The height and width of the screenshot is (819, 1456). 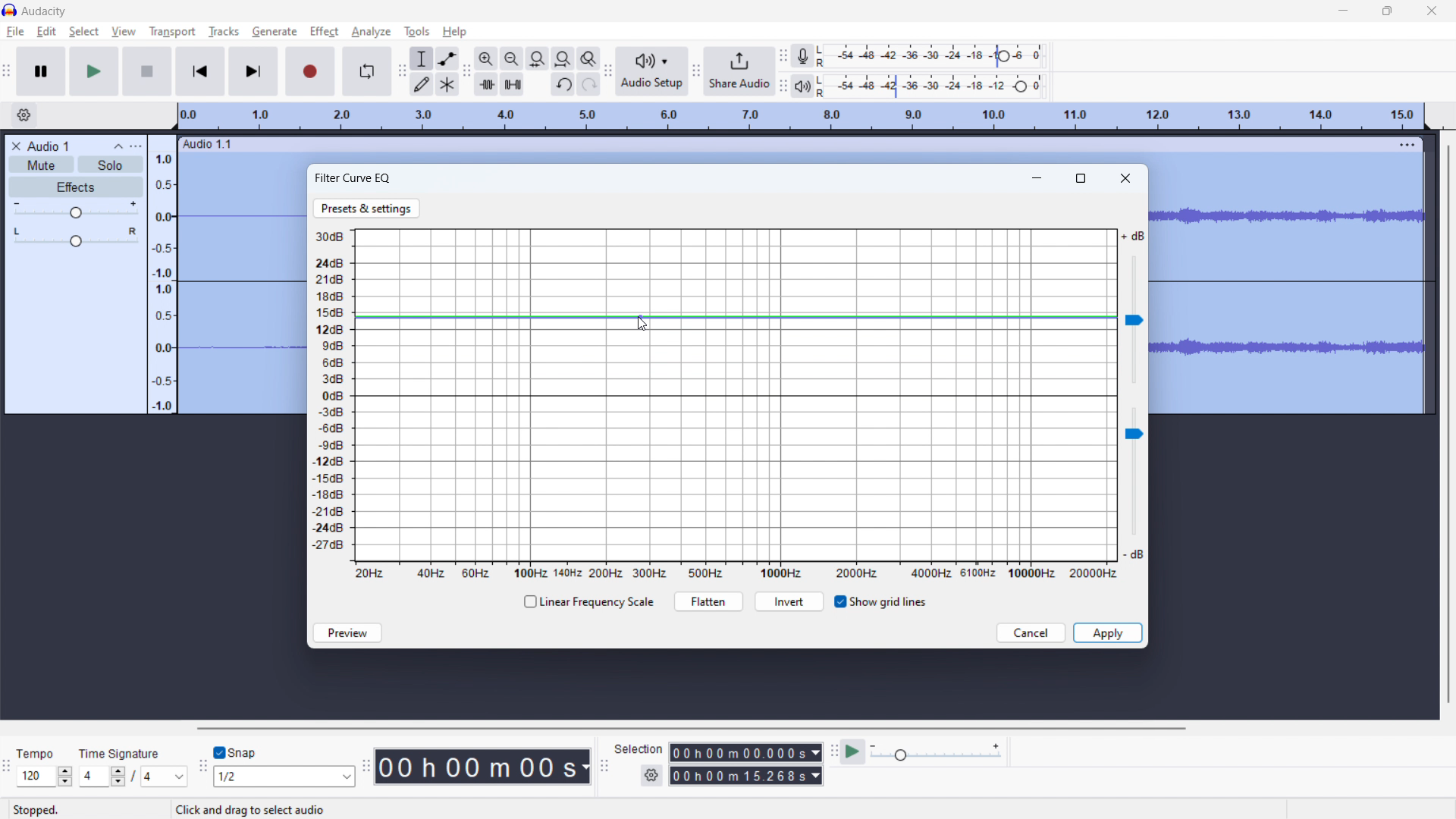 I want to click on audio setup, so click(x=653, y=71).